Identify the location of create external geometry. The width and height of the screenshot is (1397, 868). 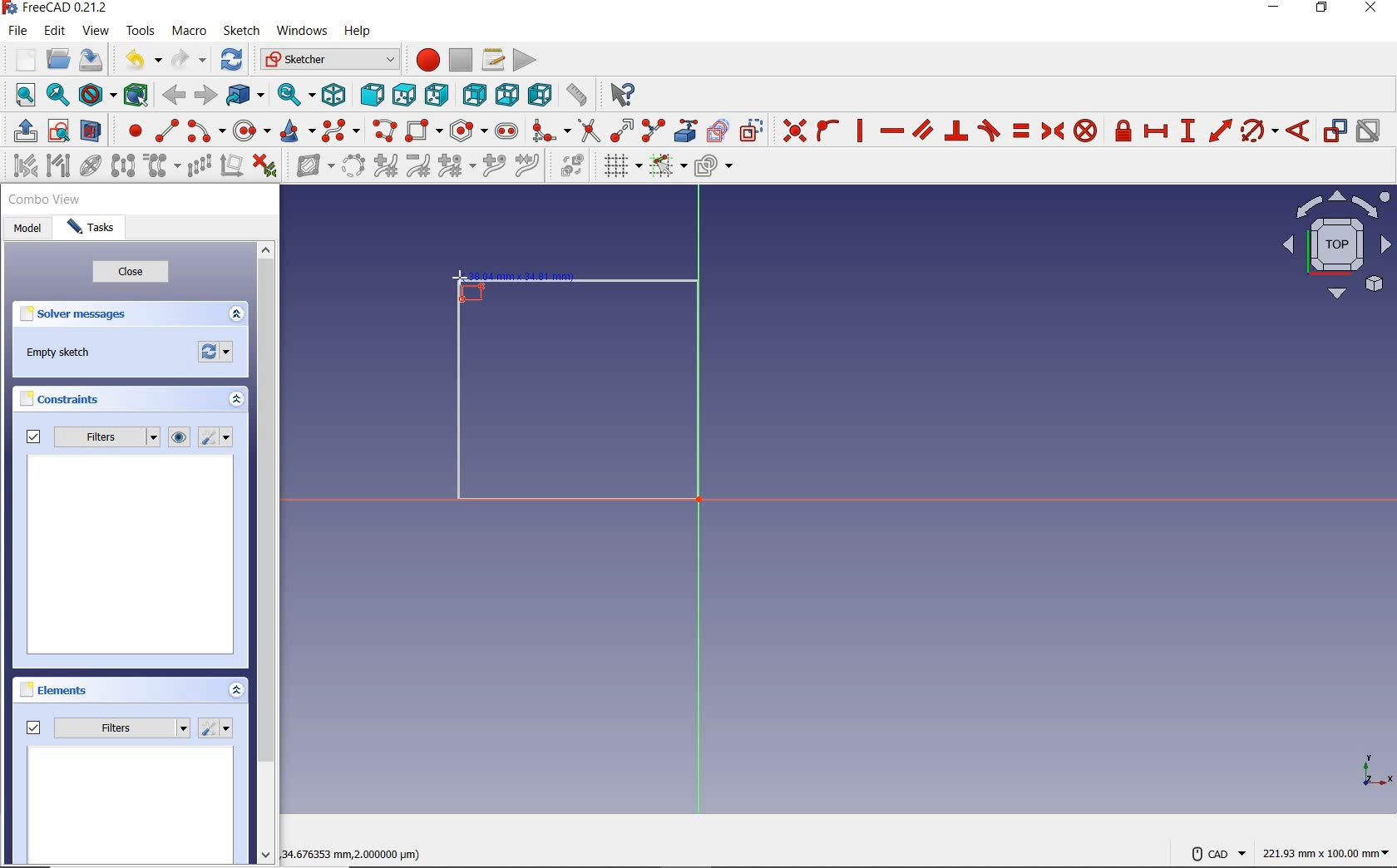
(687, 131).